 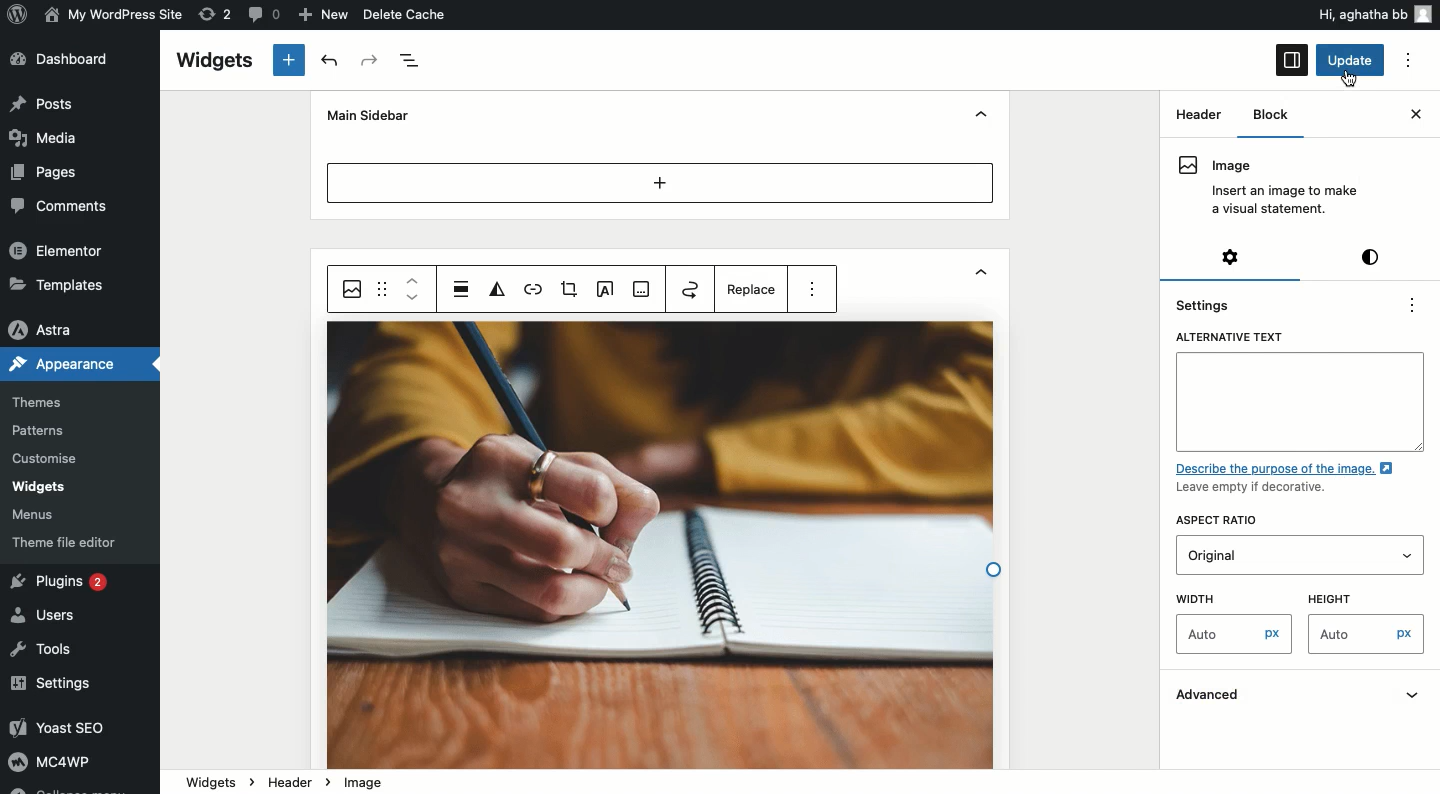 What do you see at coordinates (1415, 114) in the screenshot?
I see `Close` at bounding box center [1415, 114].